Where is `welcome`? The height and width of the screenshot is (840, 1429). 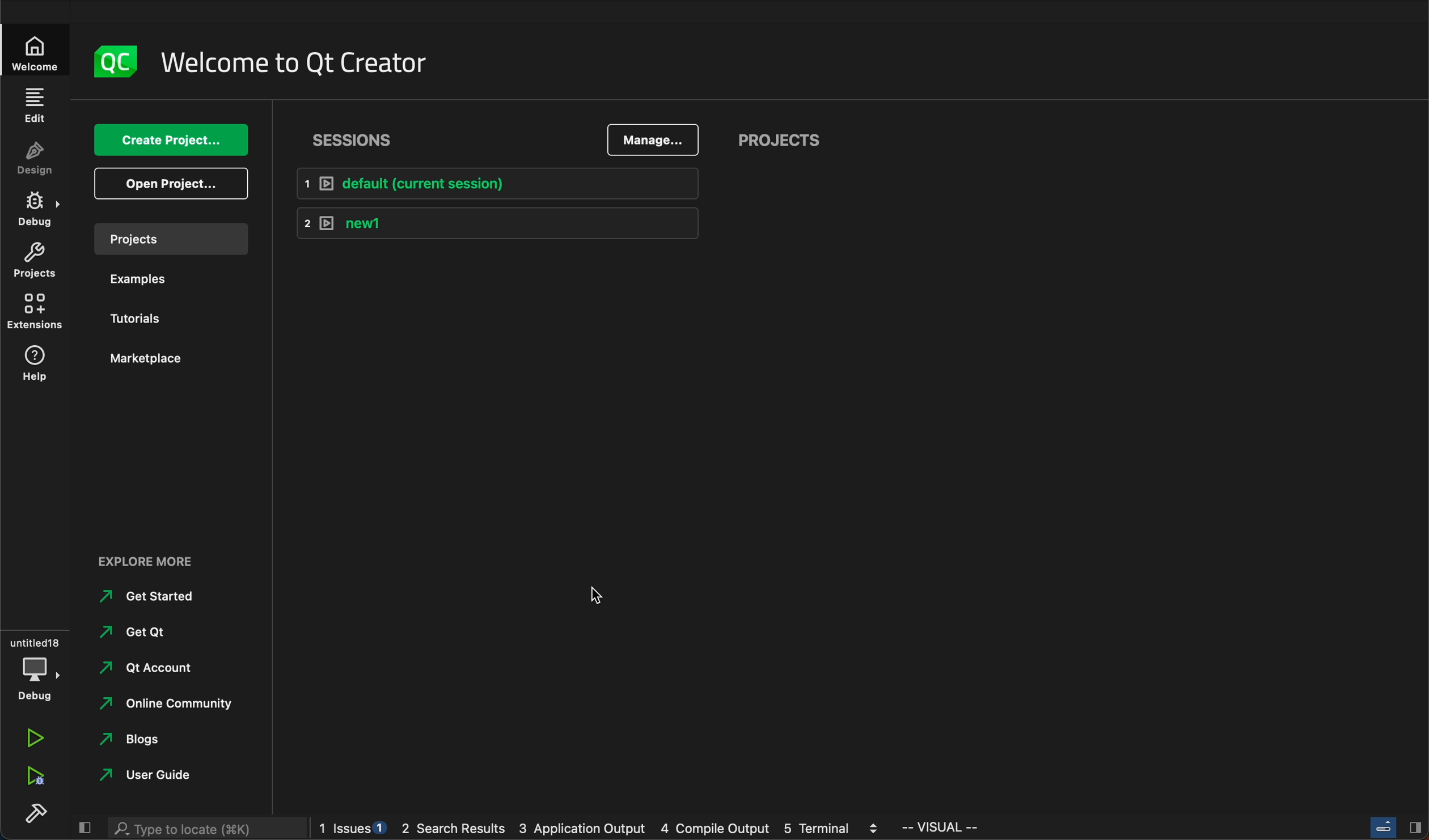 welcome is located at coordinates (302, 61).